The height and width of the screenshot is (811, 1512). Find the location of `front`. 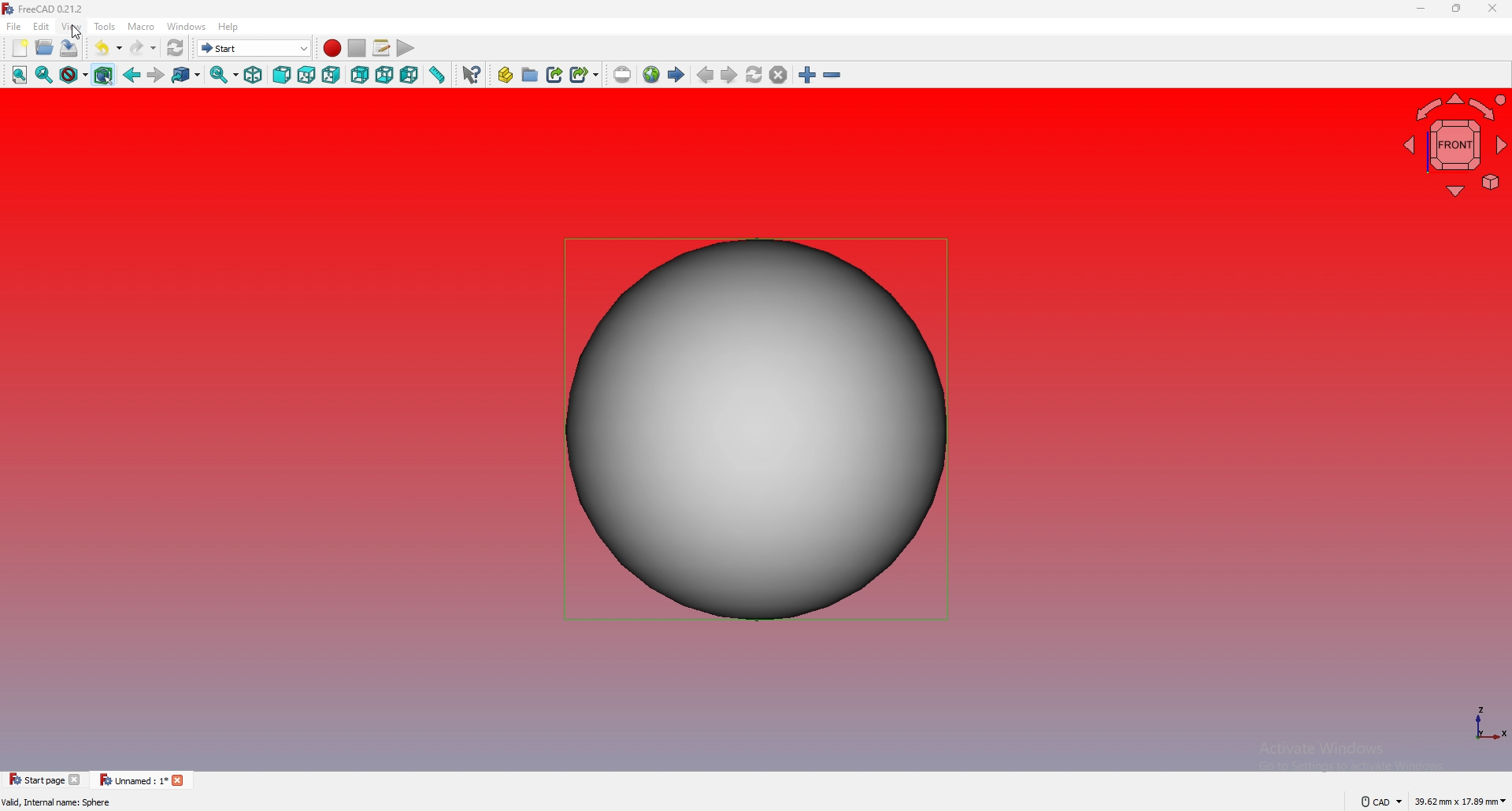

front is located at coordinates (281, 75).